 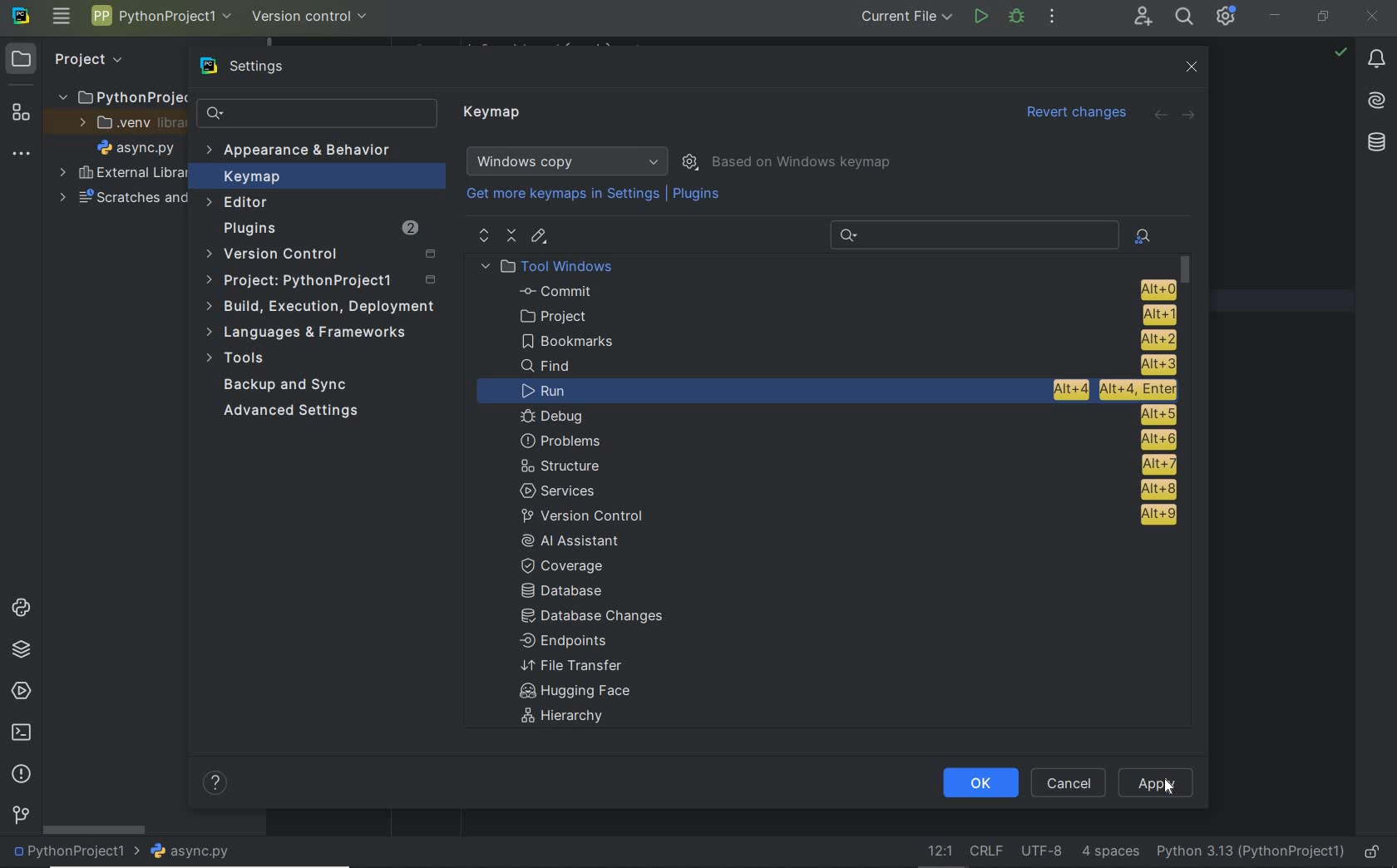 What do you see at coordinates (565, 642) in the screenshot?
I see `Endpoints` at bounding box center [565, 642].